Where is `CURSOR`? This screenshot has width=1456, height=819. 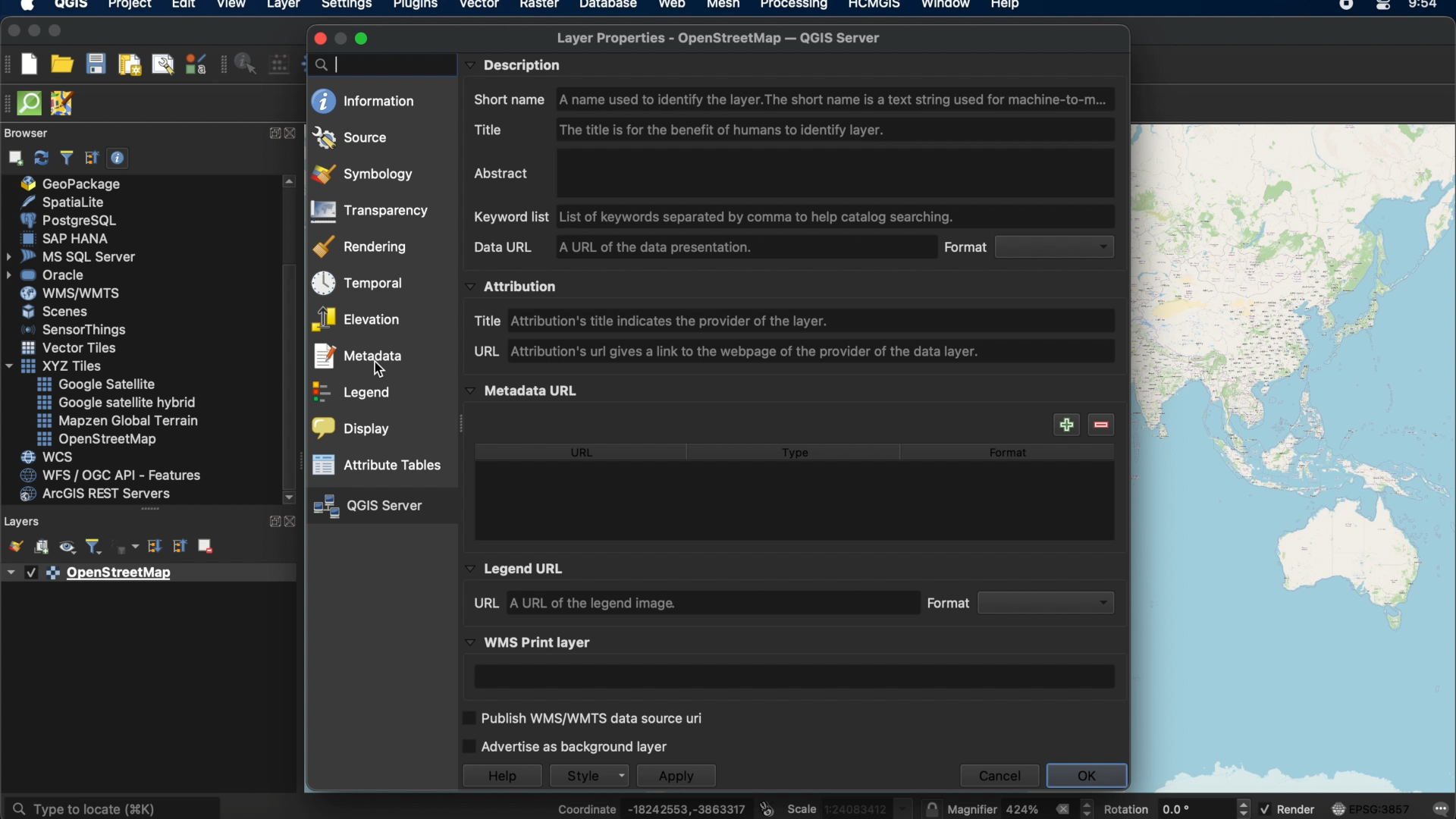
CURSOR is located at coordinates (383, 370).